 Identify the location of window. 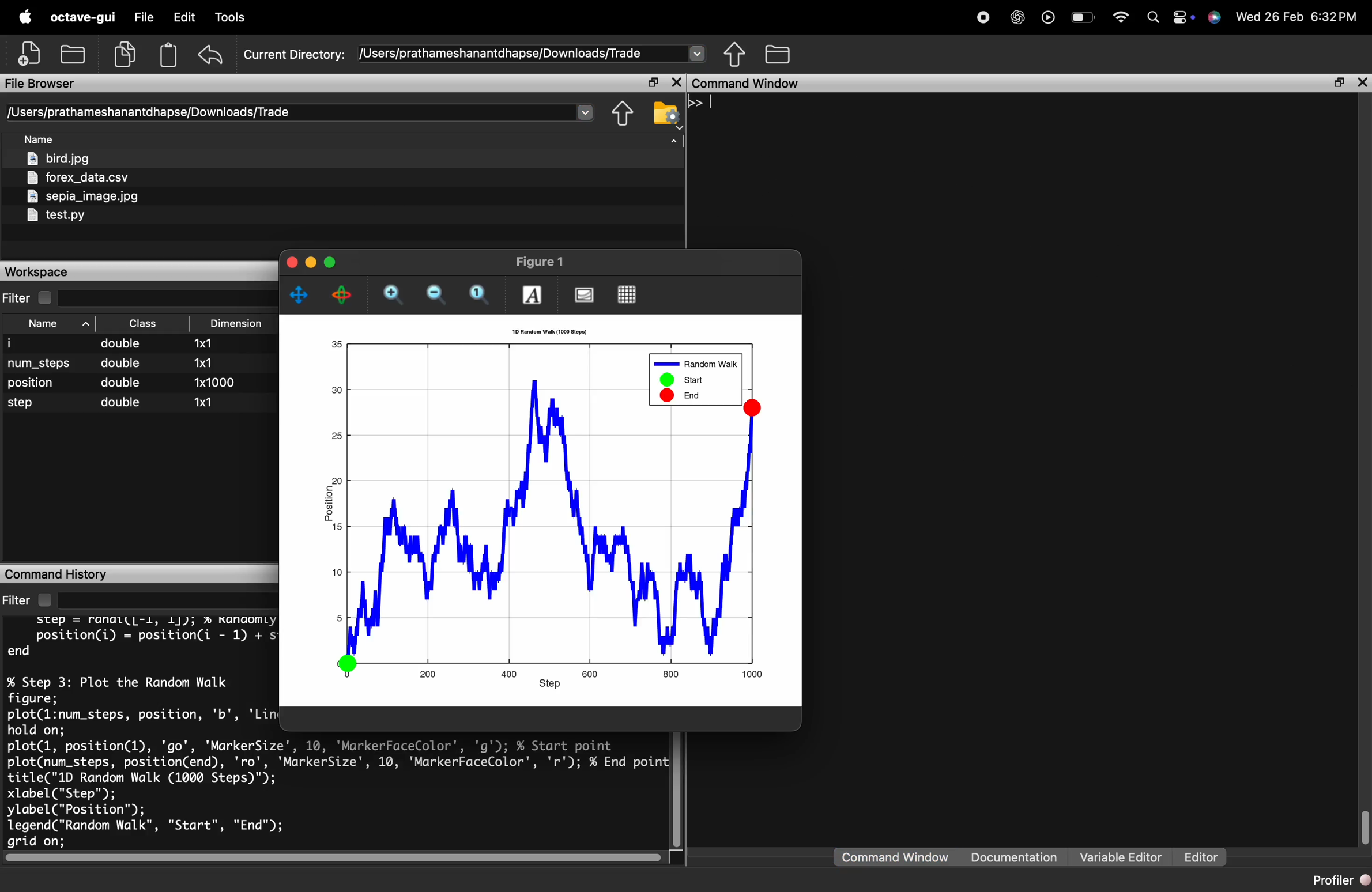
(344, 18).